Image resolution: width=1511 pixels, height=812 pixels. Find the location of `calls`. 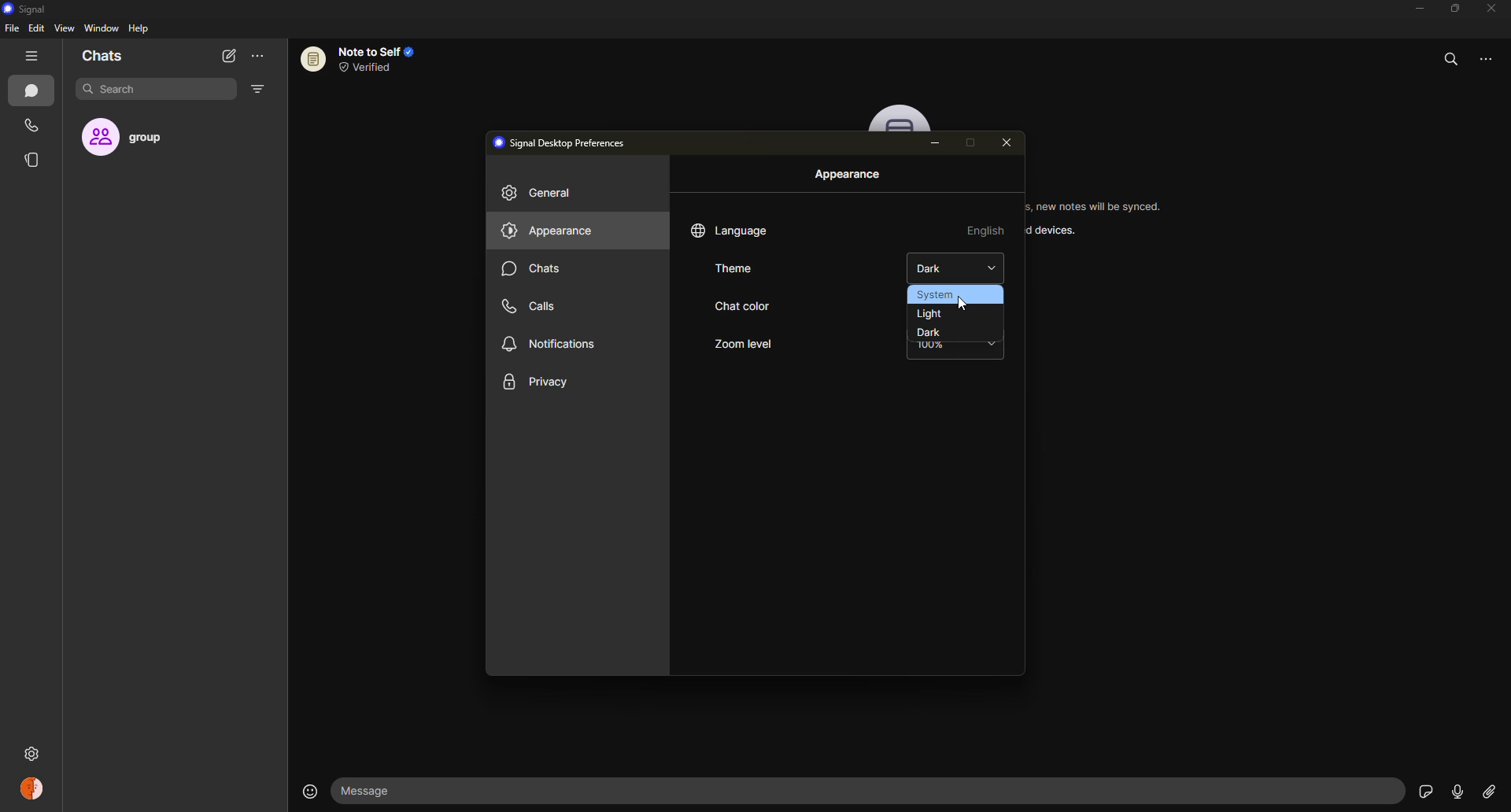

calls is located at coordinates (531, 305).